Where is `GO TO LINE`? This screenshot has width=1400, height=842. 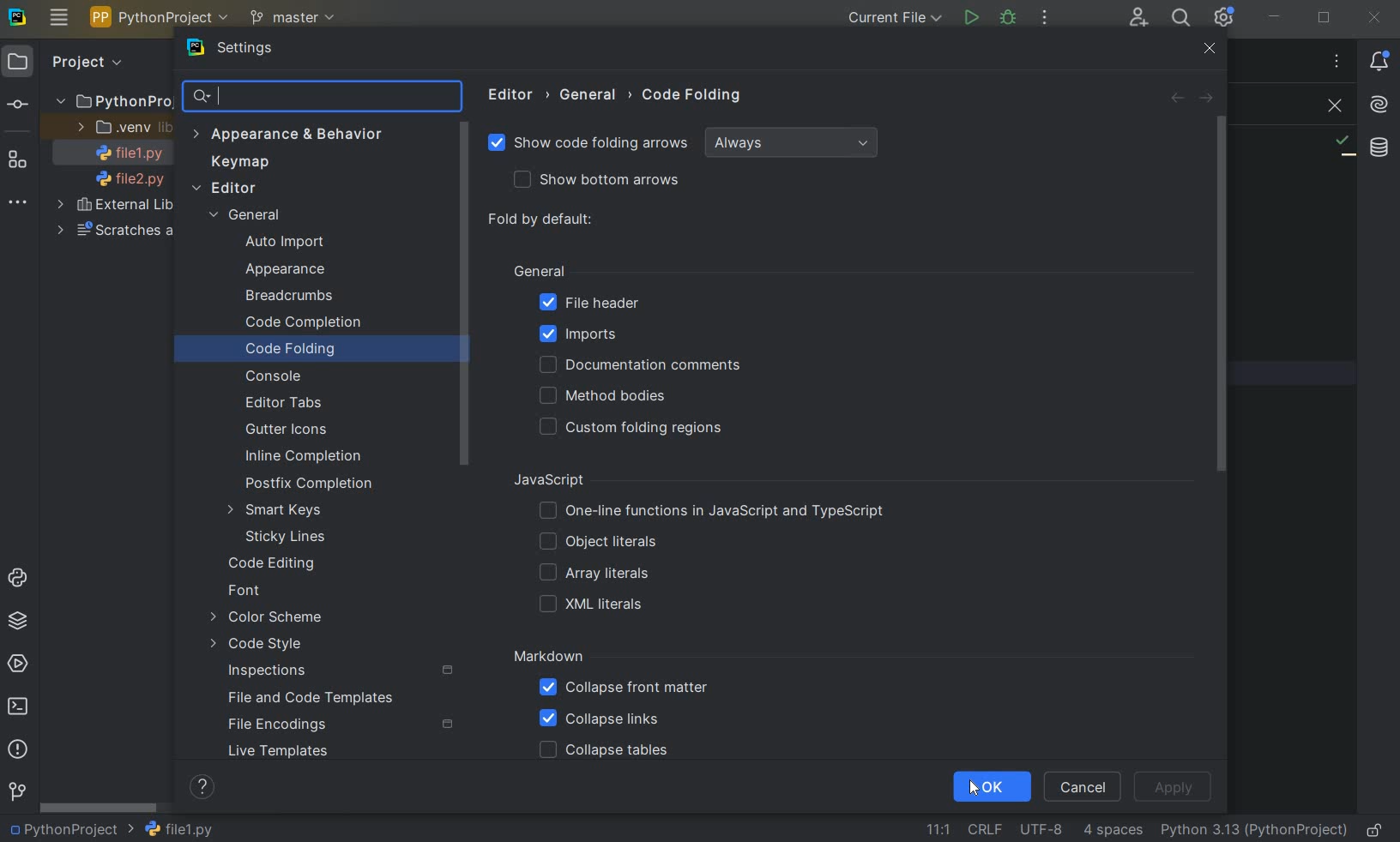
GO TO LINE is located at coordinates (936, 827).